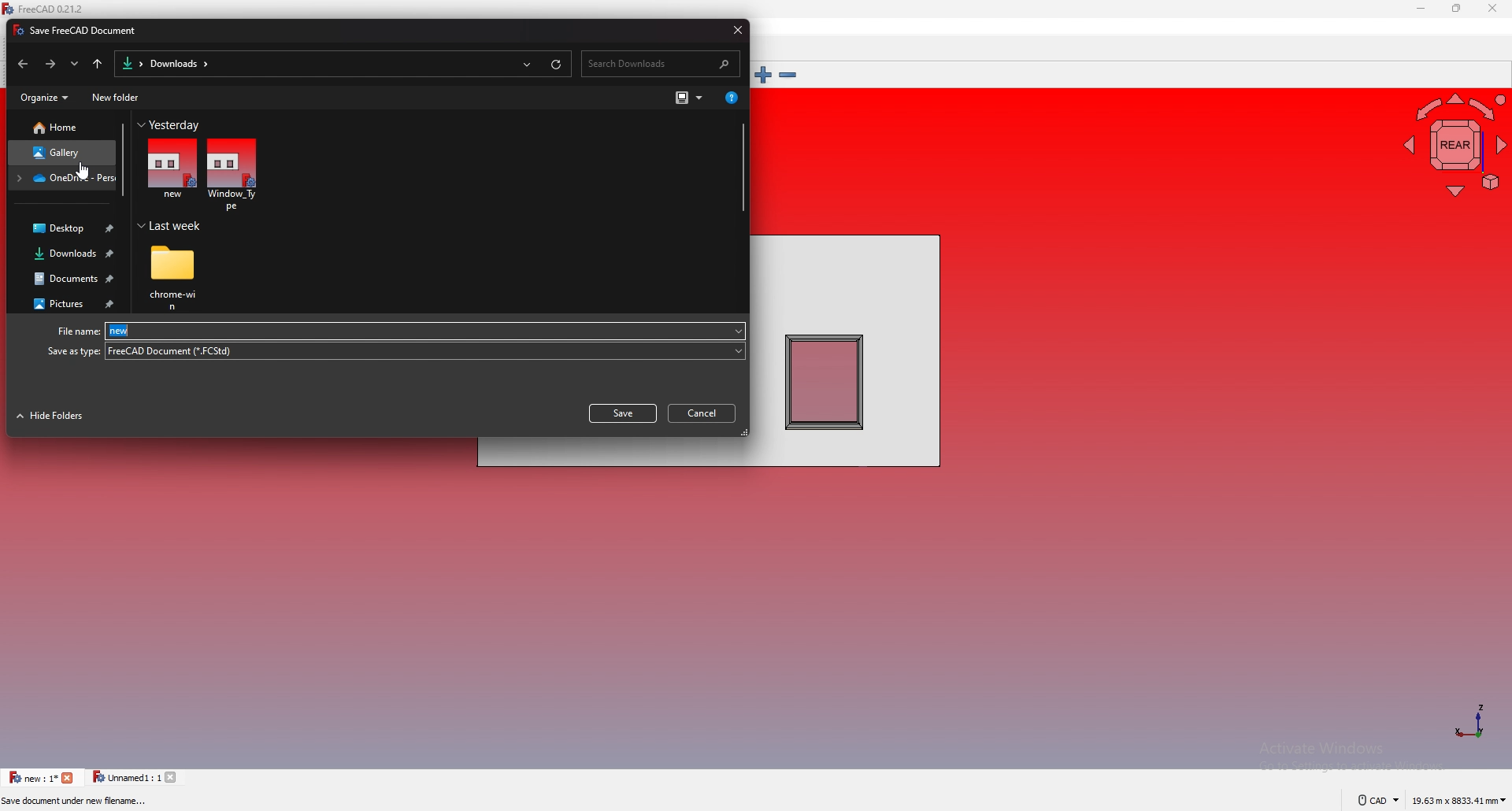  Describe the element at coordinates (169, 174) in the screenshot. I see `file` at that location.